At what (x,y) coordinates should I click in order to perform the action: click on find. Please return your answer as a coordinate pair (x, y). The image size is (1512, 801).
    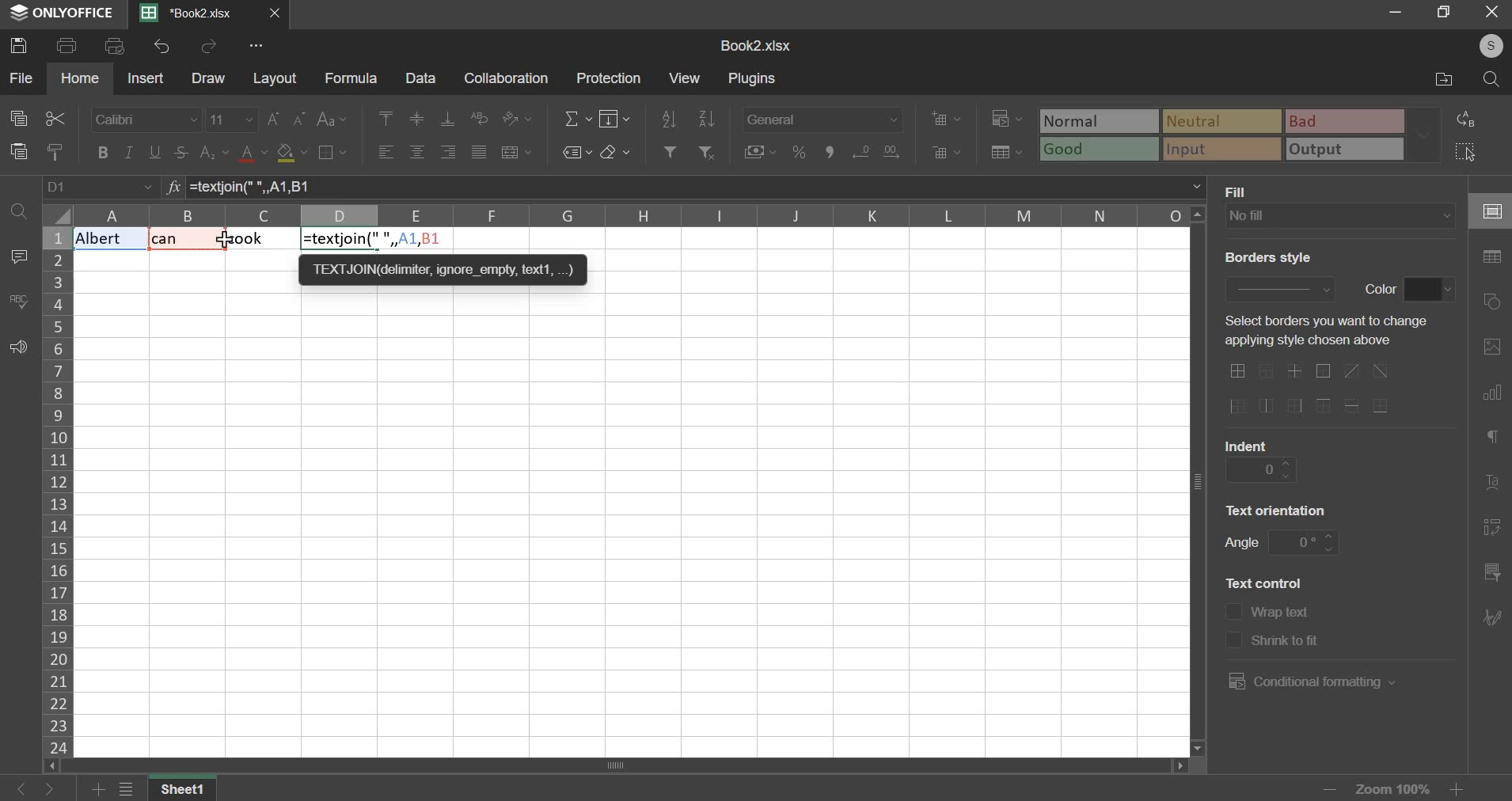
    Looking at the image, I should click on (17, 209).